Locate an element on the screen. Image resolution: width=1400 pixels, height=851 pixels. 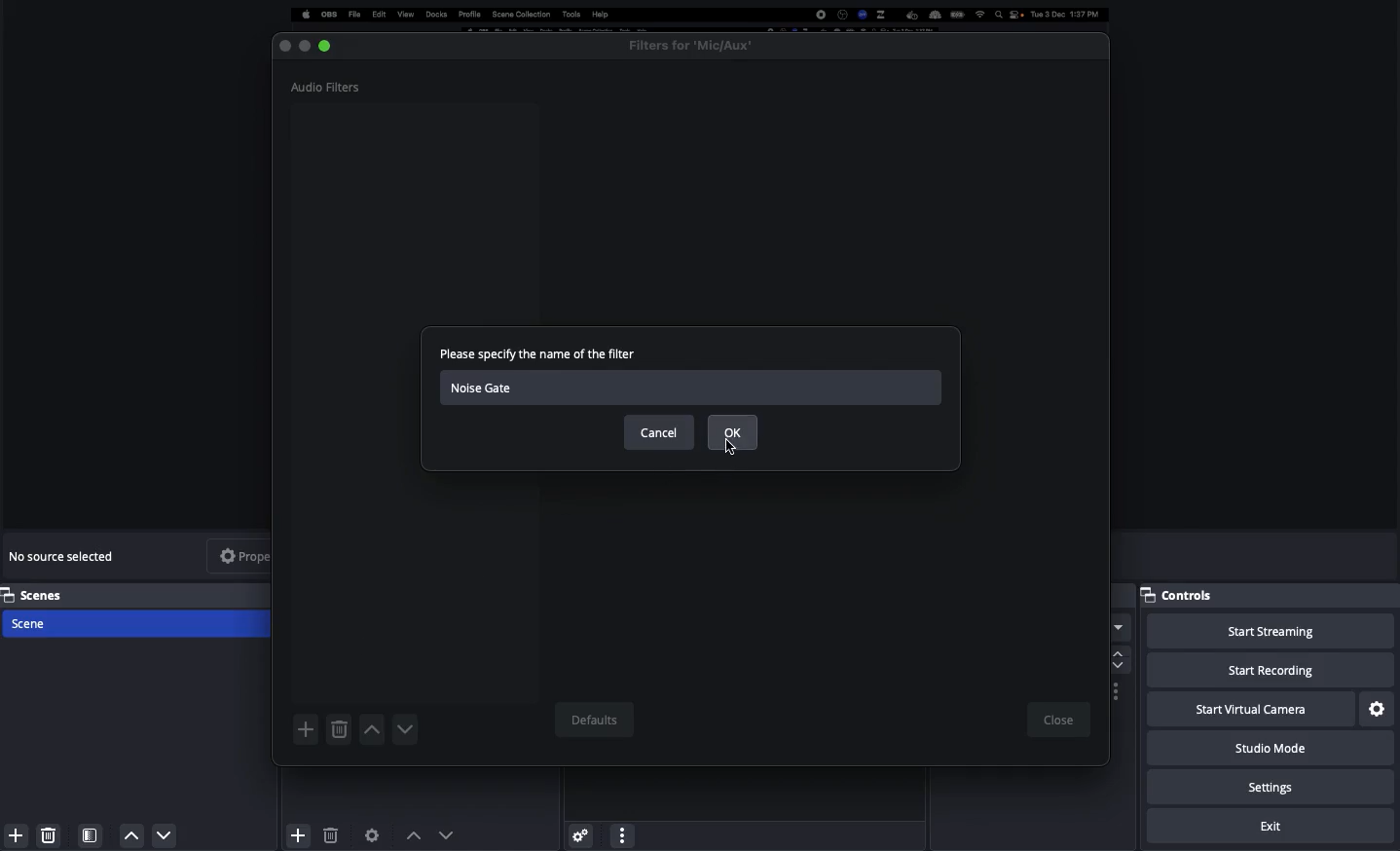
Audio filter is located at coordinates (327, 87).